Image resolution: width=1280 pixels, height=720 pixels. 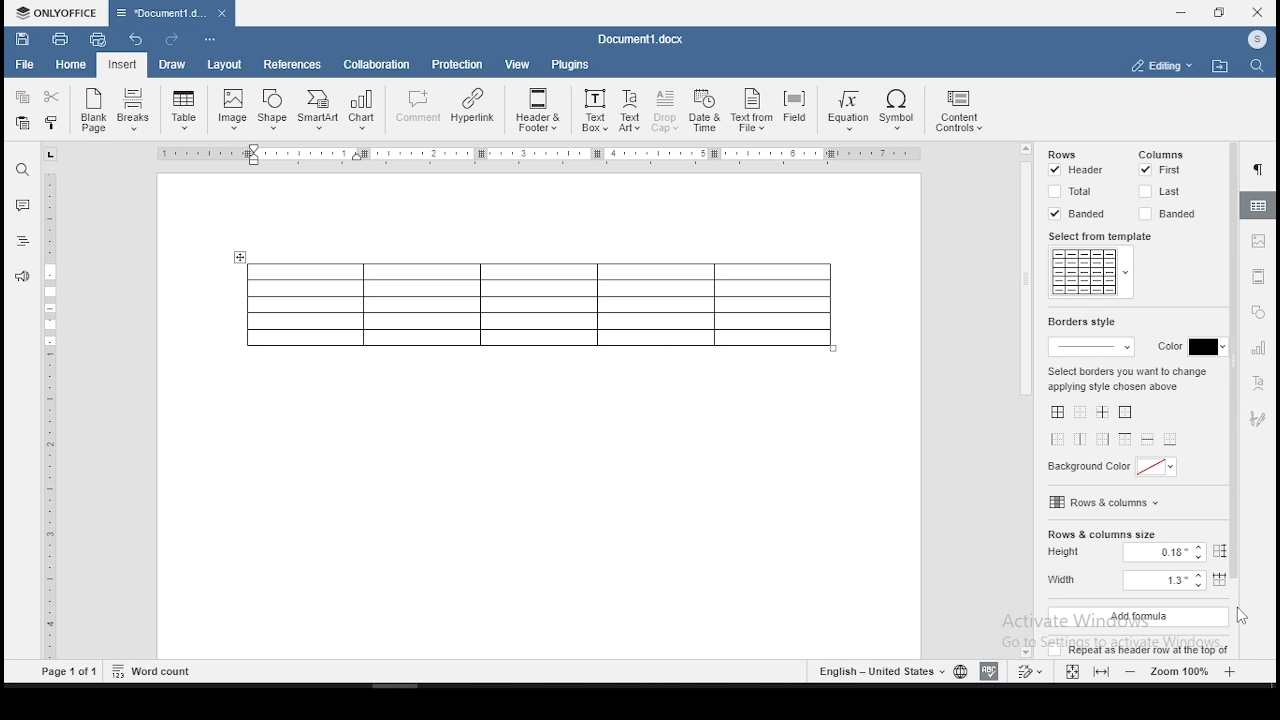 What do you see at coordinates (644, 39) in the screenshot?
I see `Document3.docx` at bounding box center [644, 39].